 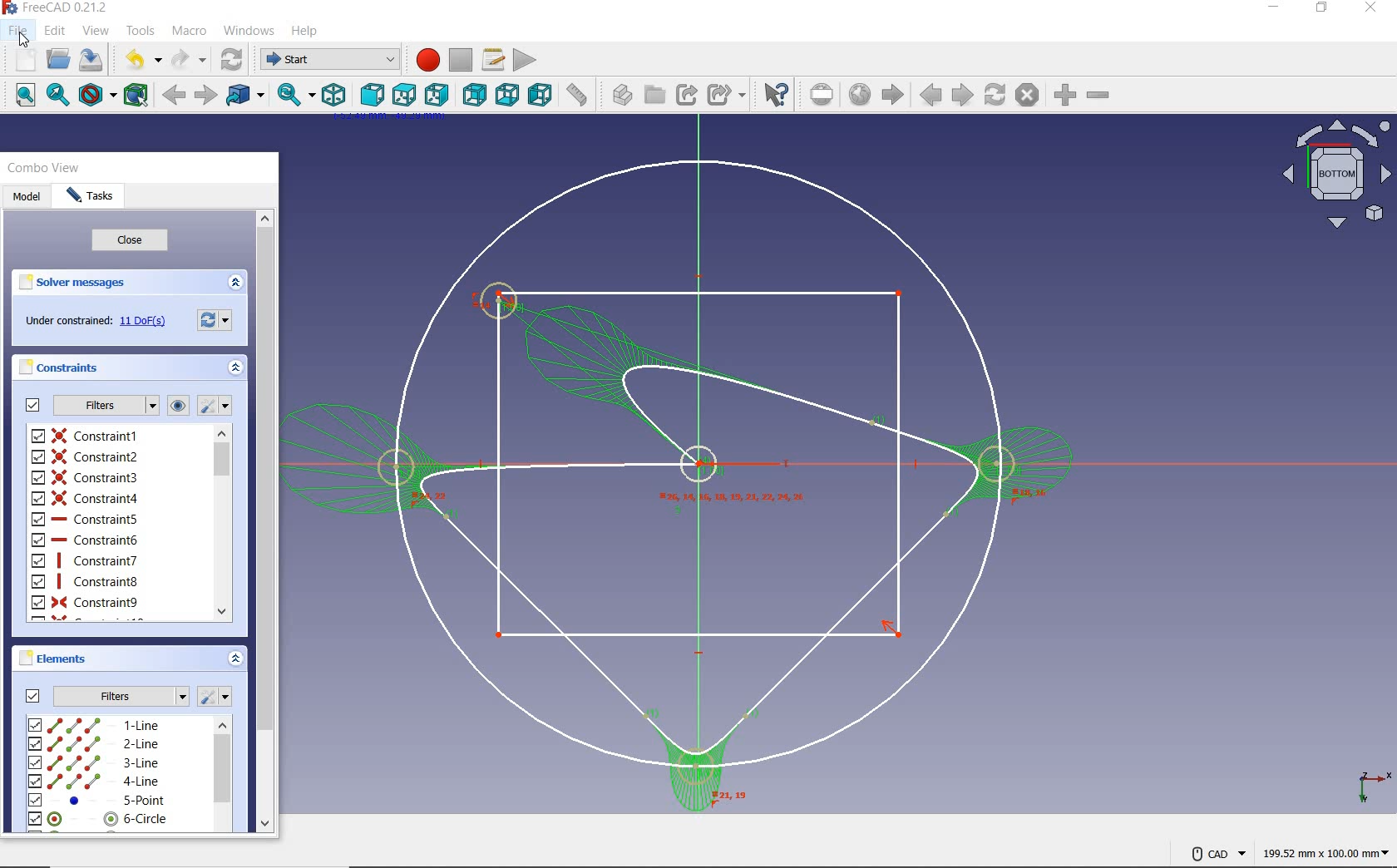 What do you see at coordinates (86, 581) in the screenshot?
I see `constraint8` at bounding box center [86, 581].